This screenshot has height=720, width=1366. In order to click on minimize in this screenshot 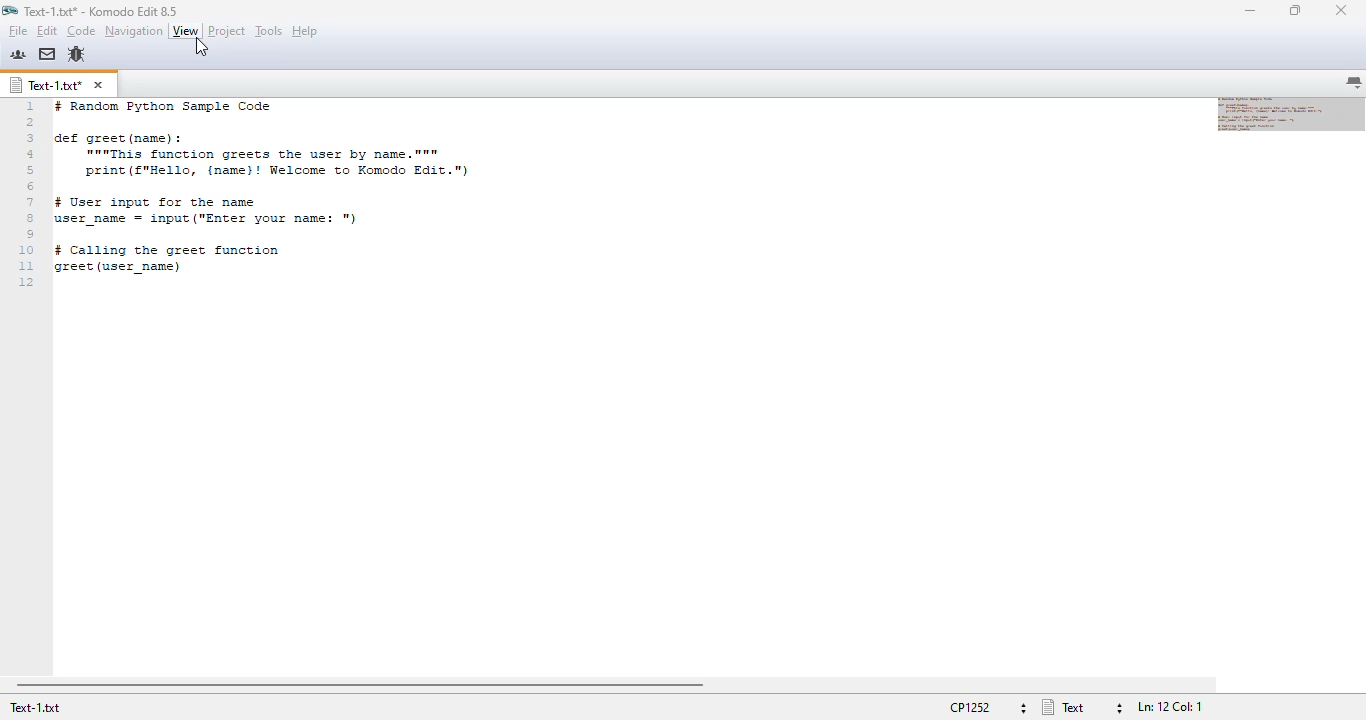, I will do `click(1249, 10)`.